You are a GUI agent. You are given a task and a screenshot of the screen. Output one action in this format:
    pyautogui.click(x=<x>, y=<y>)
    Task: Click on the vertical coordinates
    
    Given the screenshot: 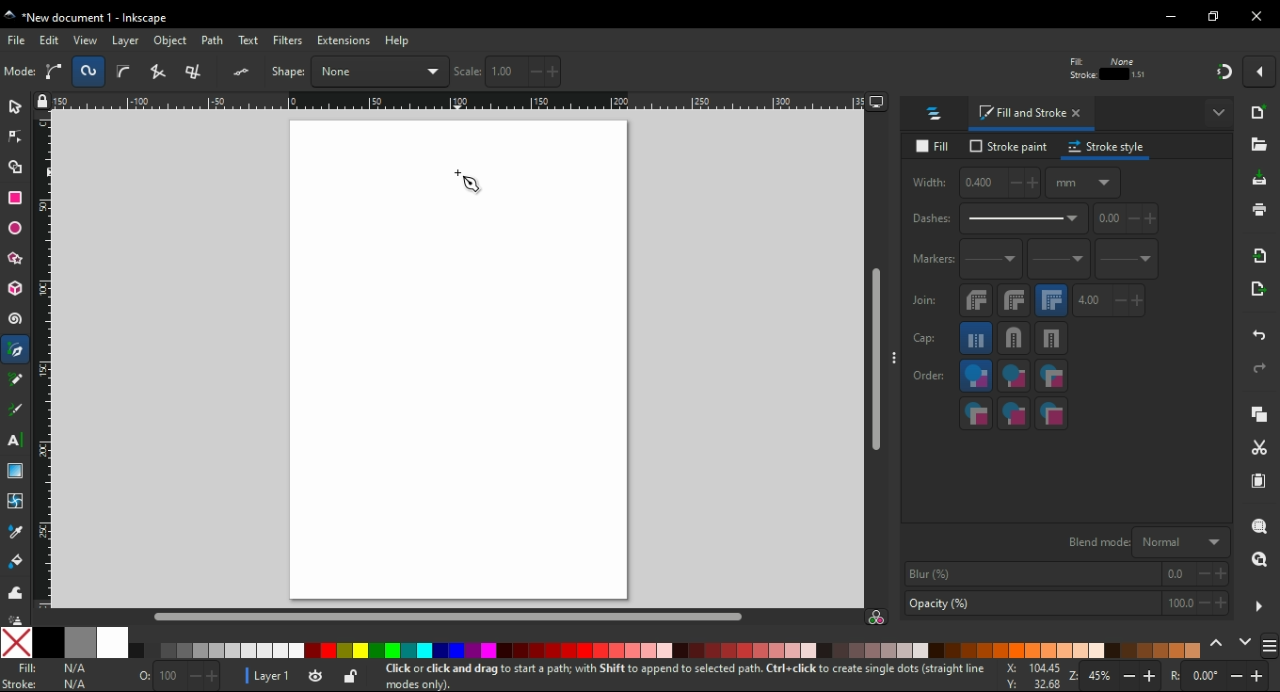 What is the action you would take?
    pyautogui.click(x=643, y=71)
    